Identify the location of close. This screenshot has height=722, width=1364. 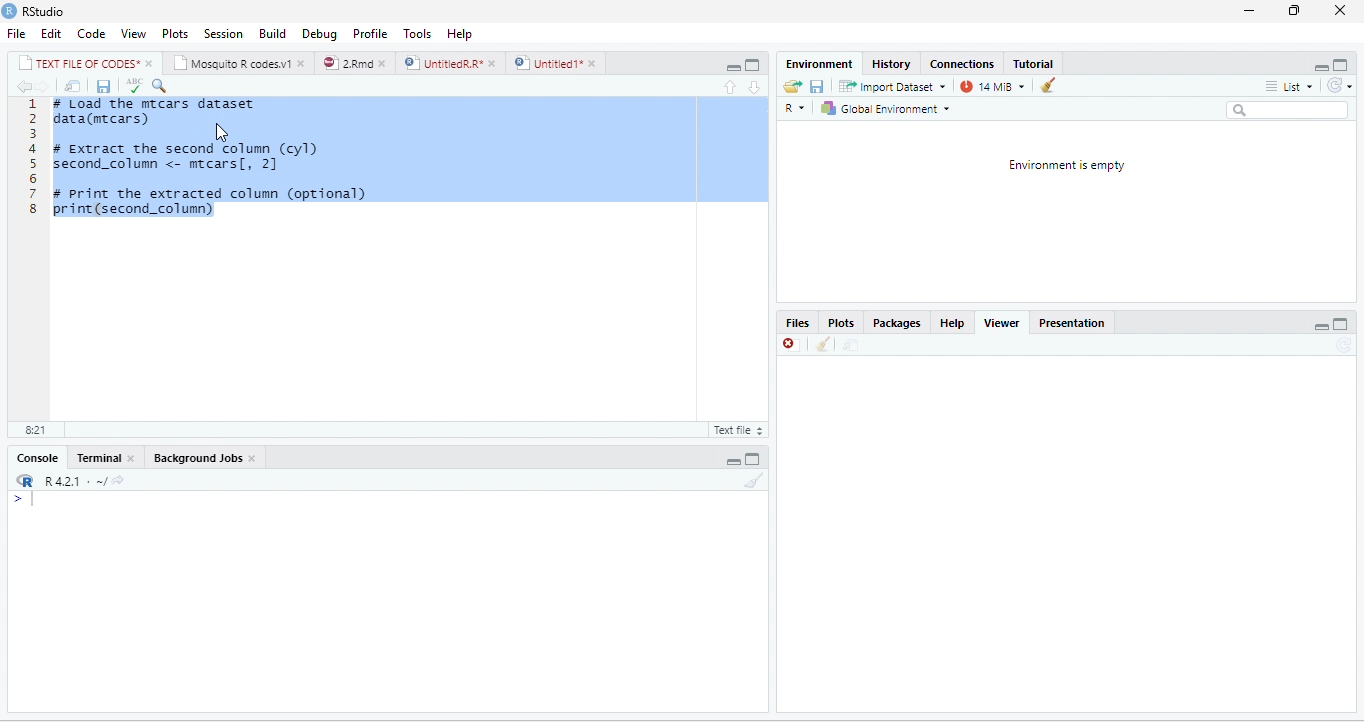
(1340, 10).